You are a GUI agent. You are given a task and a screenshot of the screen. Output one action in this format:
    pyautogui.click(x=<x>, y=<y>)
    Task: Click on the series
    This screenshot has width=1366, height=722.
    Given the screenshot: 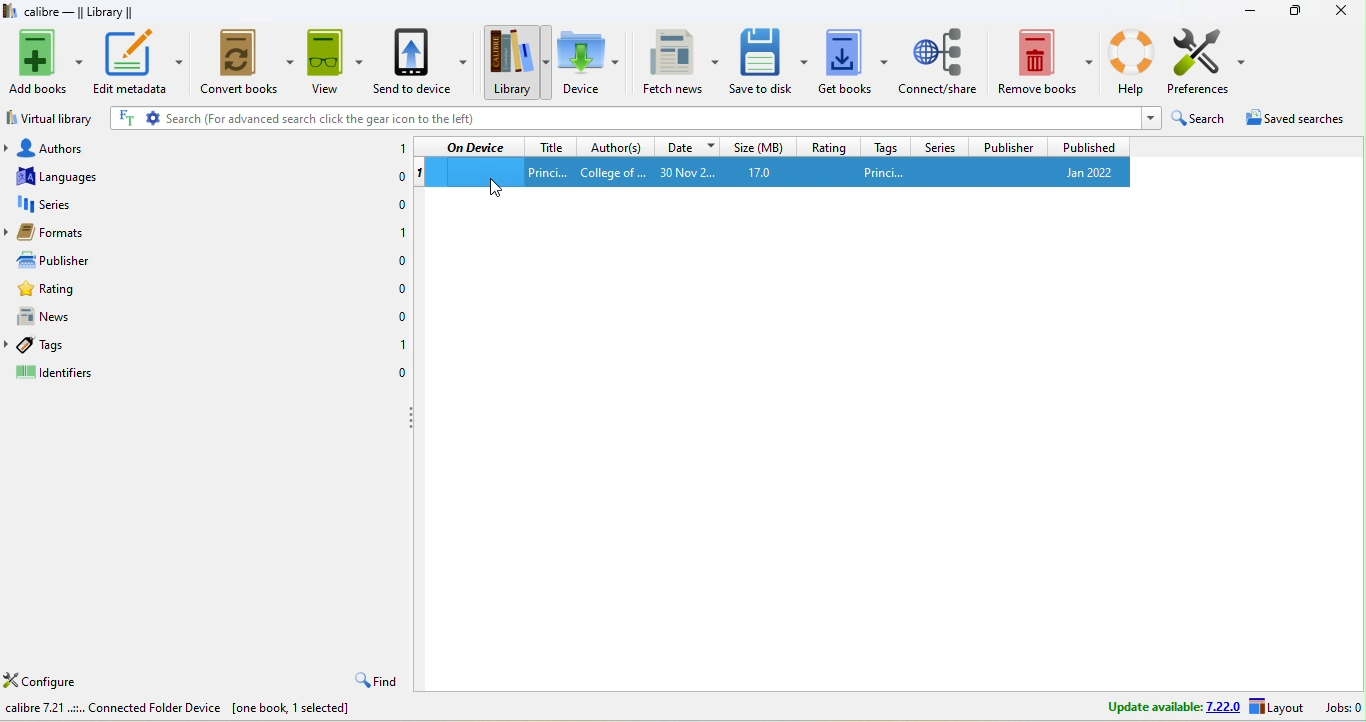 What is the action you would take?
    pyautogui.click(x=938, y=145)
    